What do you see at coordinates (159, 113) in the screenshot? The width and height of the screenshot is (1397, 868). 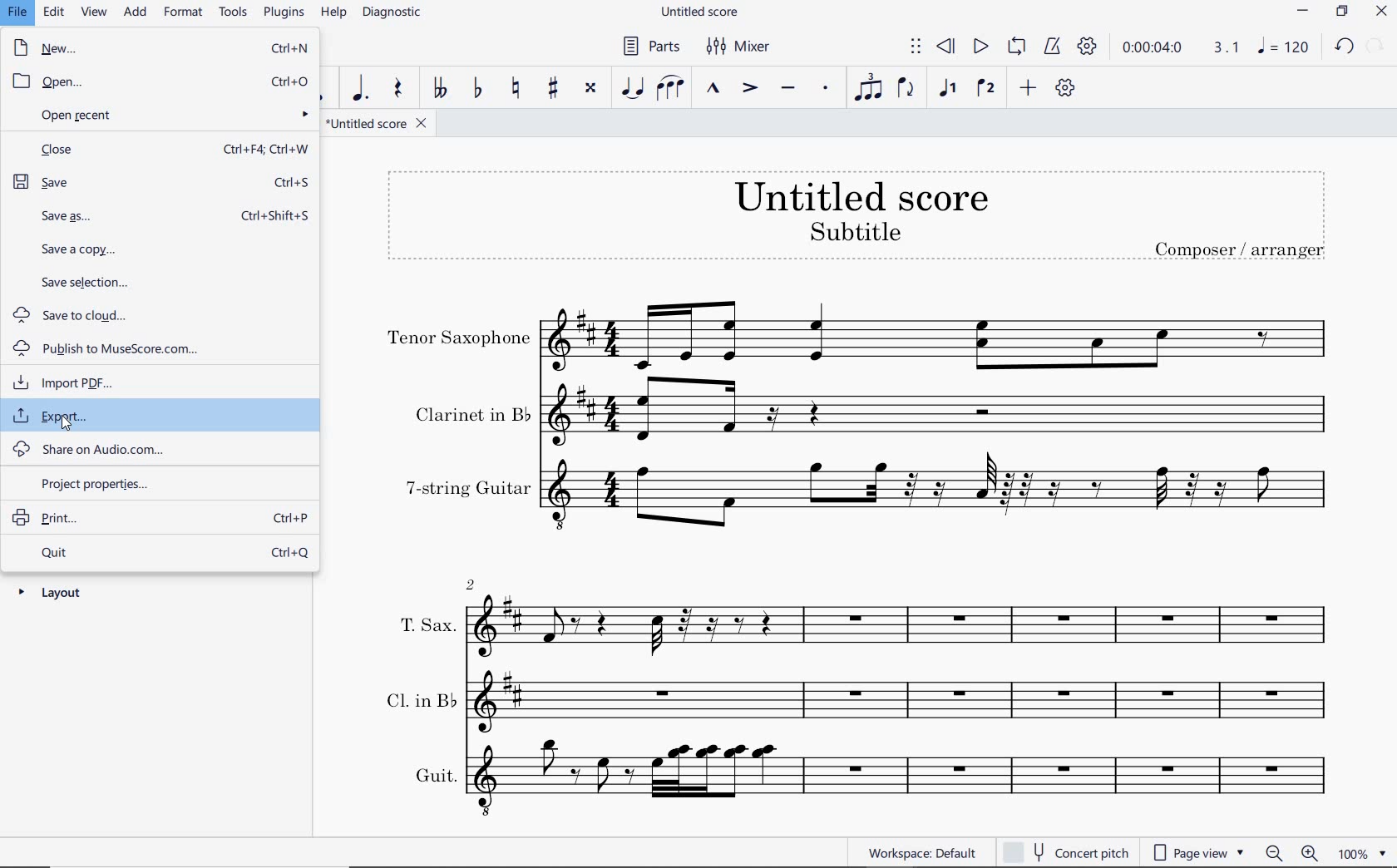 I see `open recent` at bounding box center [159, 113].